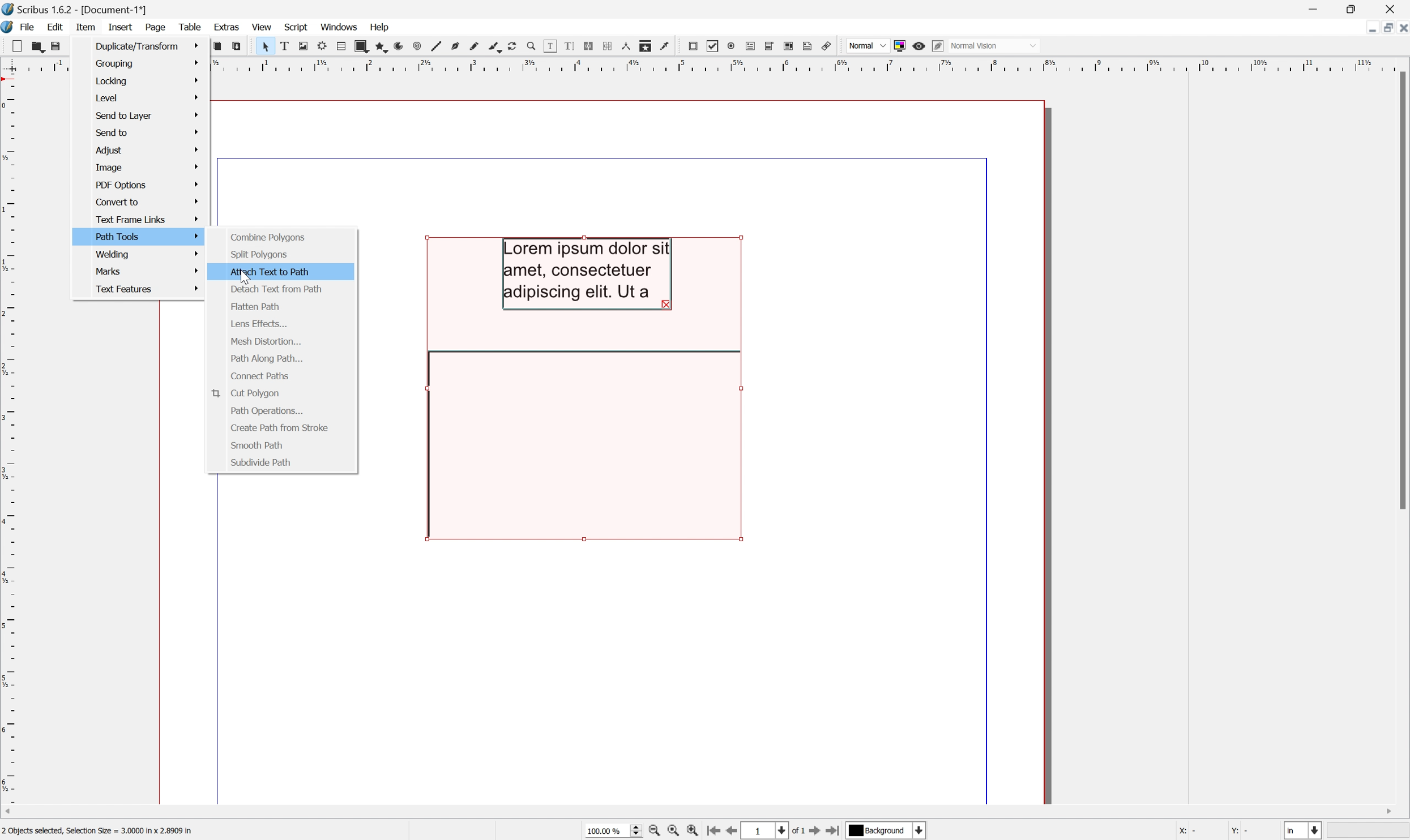 This screenshot has width=1410, height=840. I want to click on Image, so click(146, 167).